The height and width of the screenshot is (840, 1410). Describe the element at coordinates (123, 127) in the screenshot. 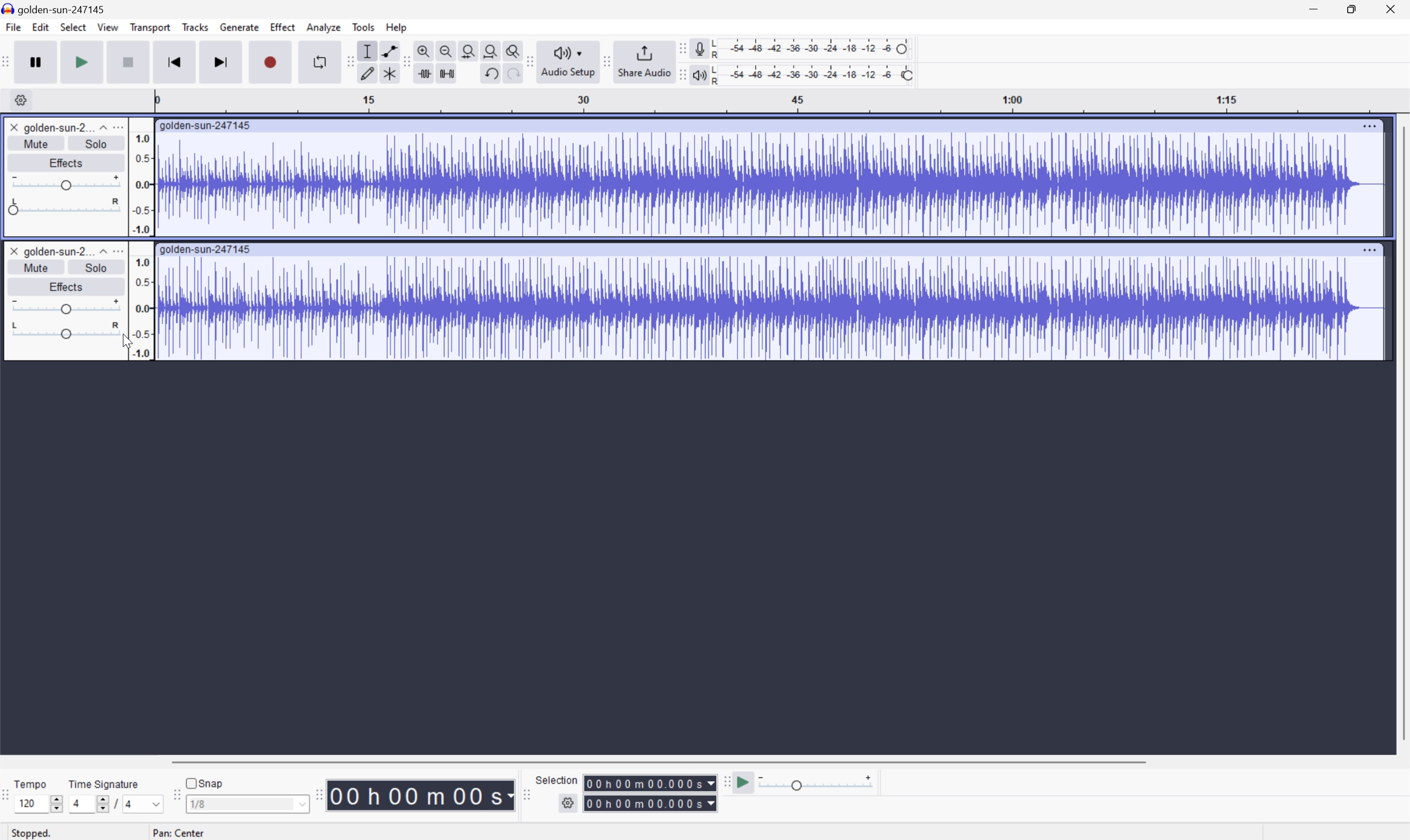

I see `more` at that location.